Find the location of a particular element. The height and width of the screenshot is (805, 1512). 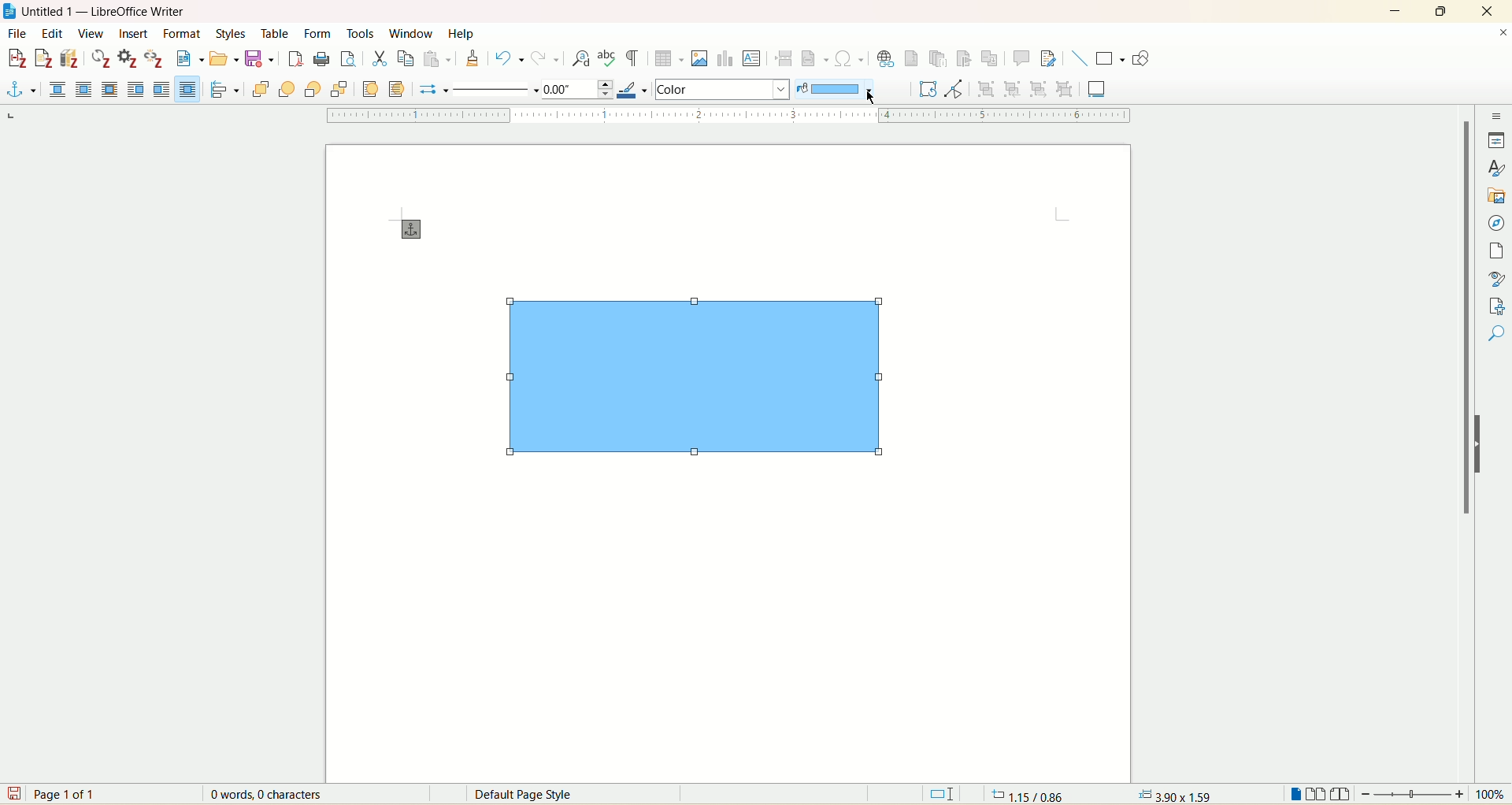

mark formatting is located at coordinates (636, 61).